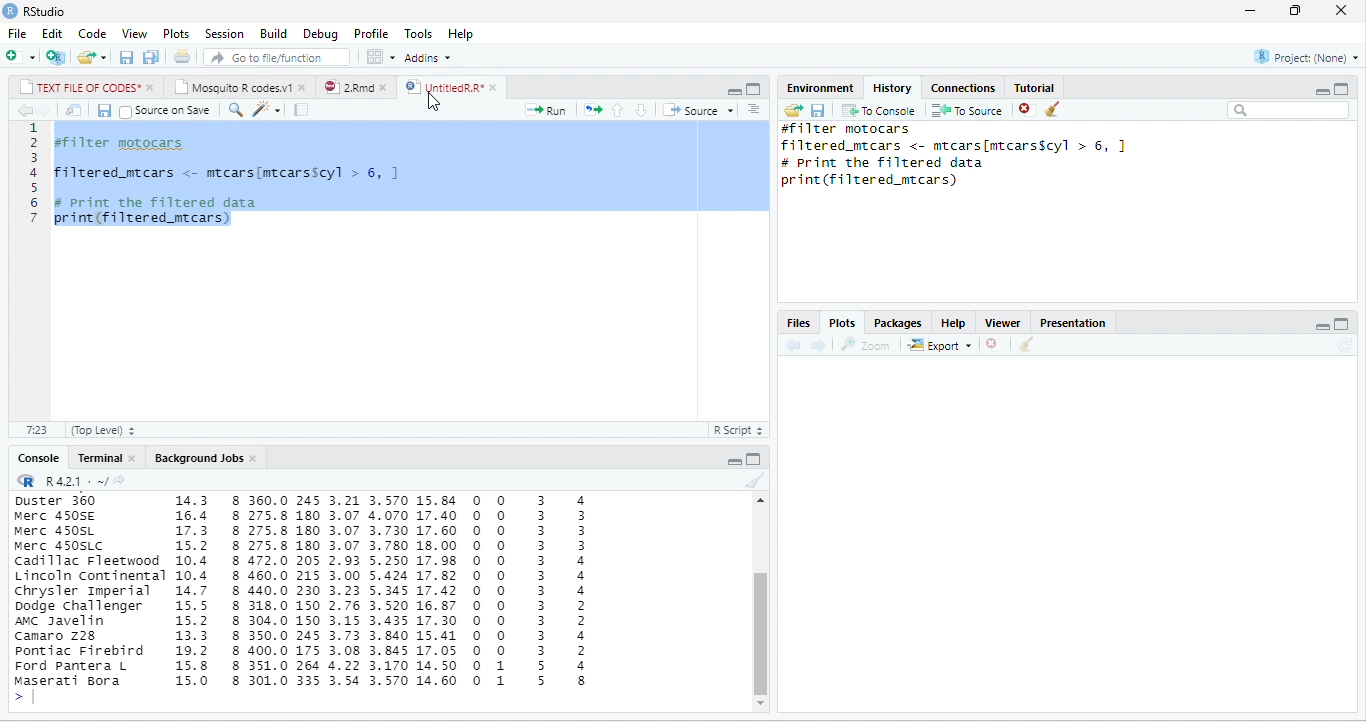 The width and height of the screenshot is (1366, 722). Describe the element at coordinates (1345, 345) in the screenshot. I see `refresh` at that location.